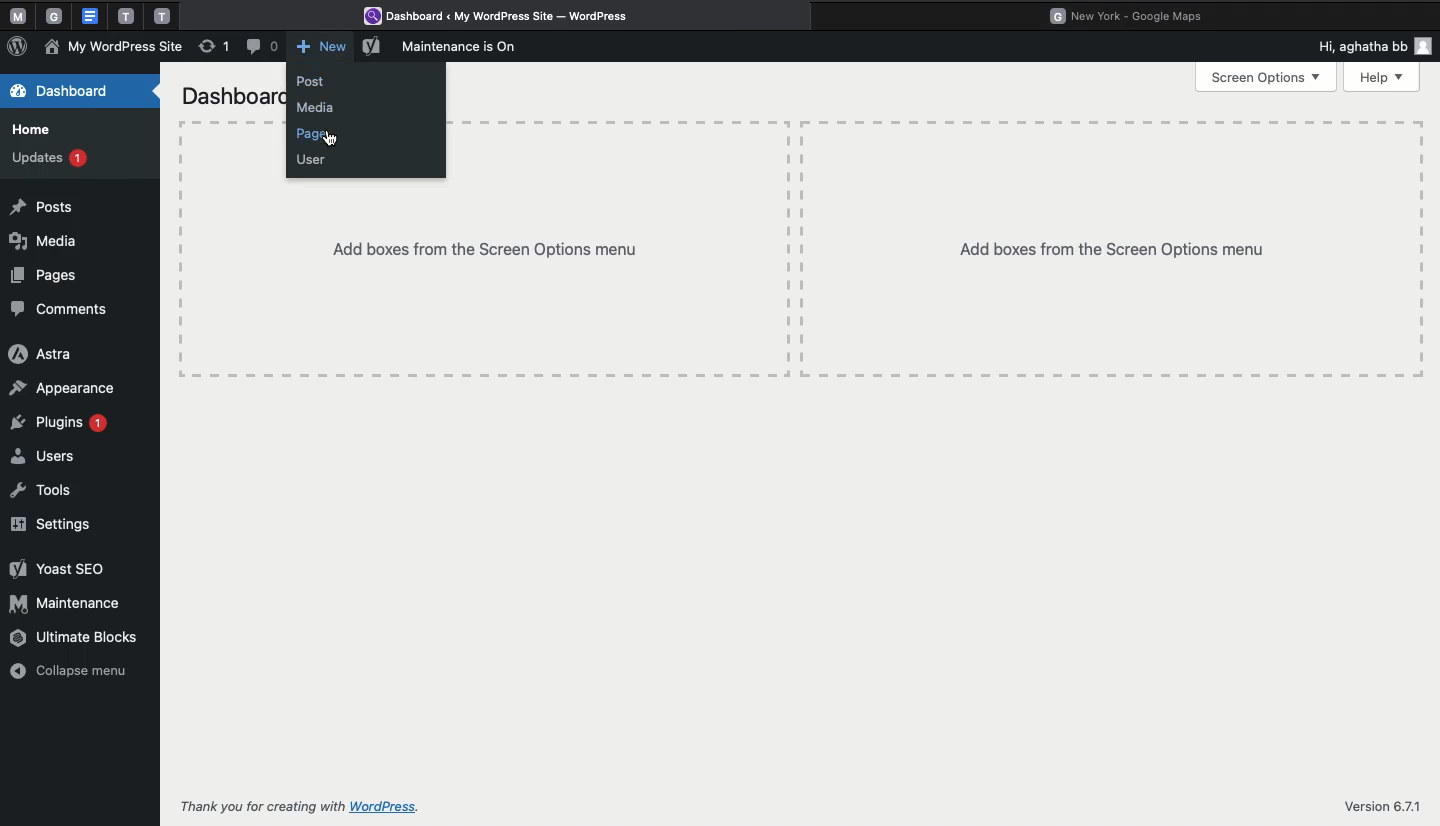  What do you see at coordinates (43, 490) in the screenshot?
I see `Tools` at bounding box center [43, 490].